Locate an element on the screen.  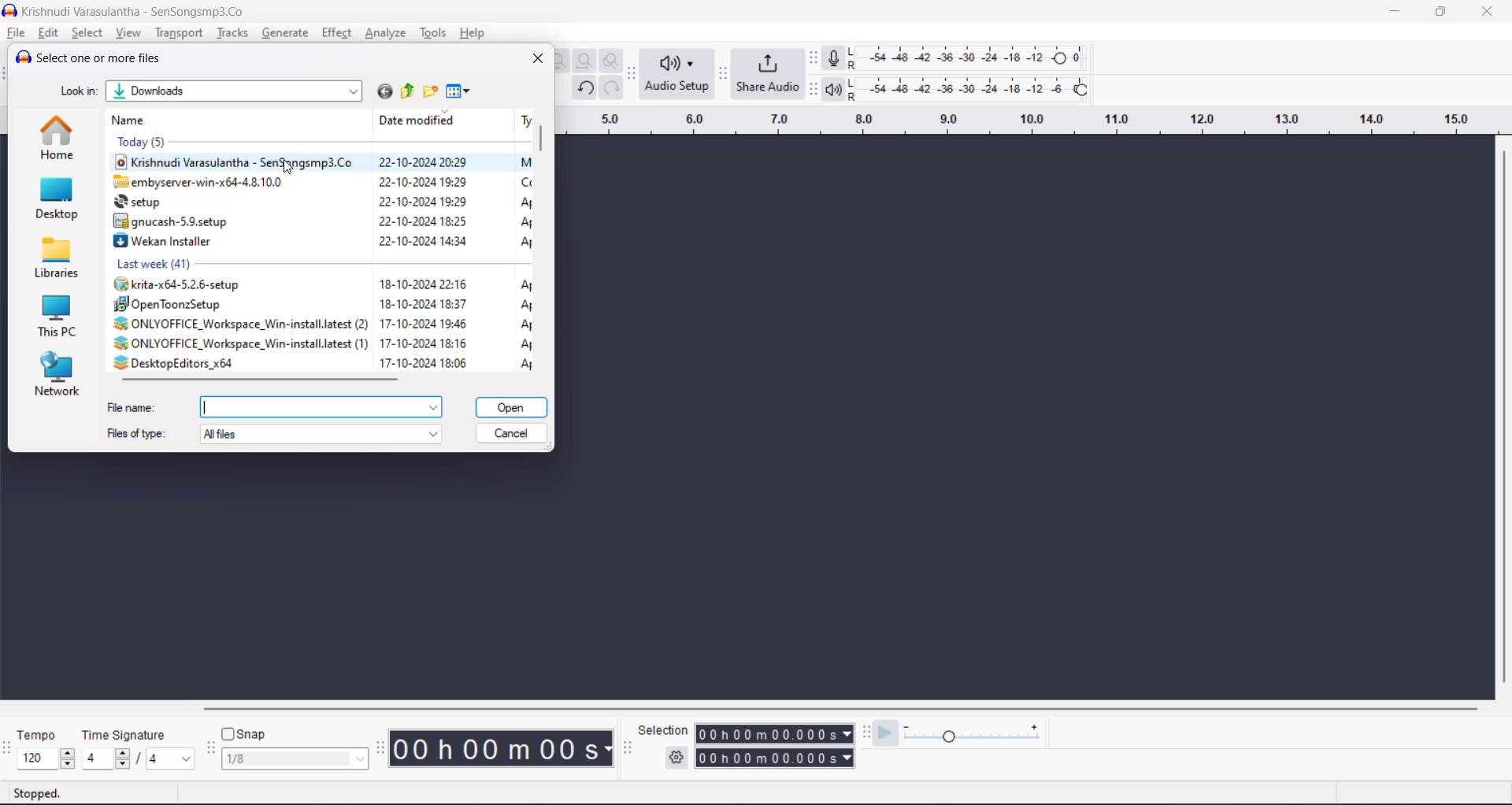
Scale is located at coordinates (1022, 124).